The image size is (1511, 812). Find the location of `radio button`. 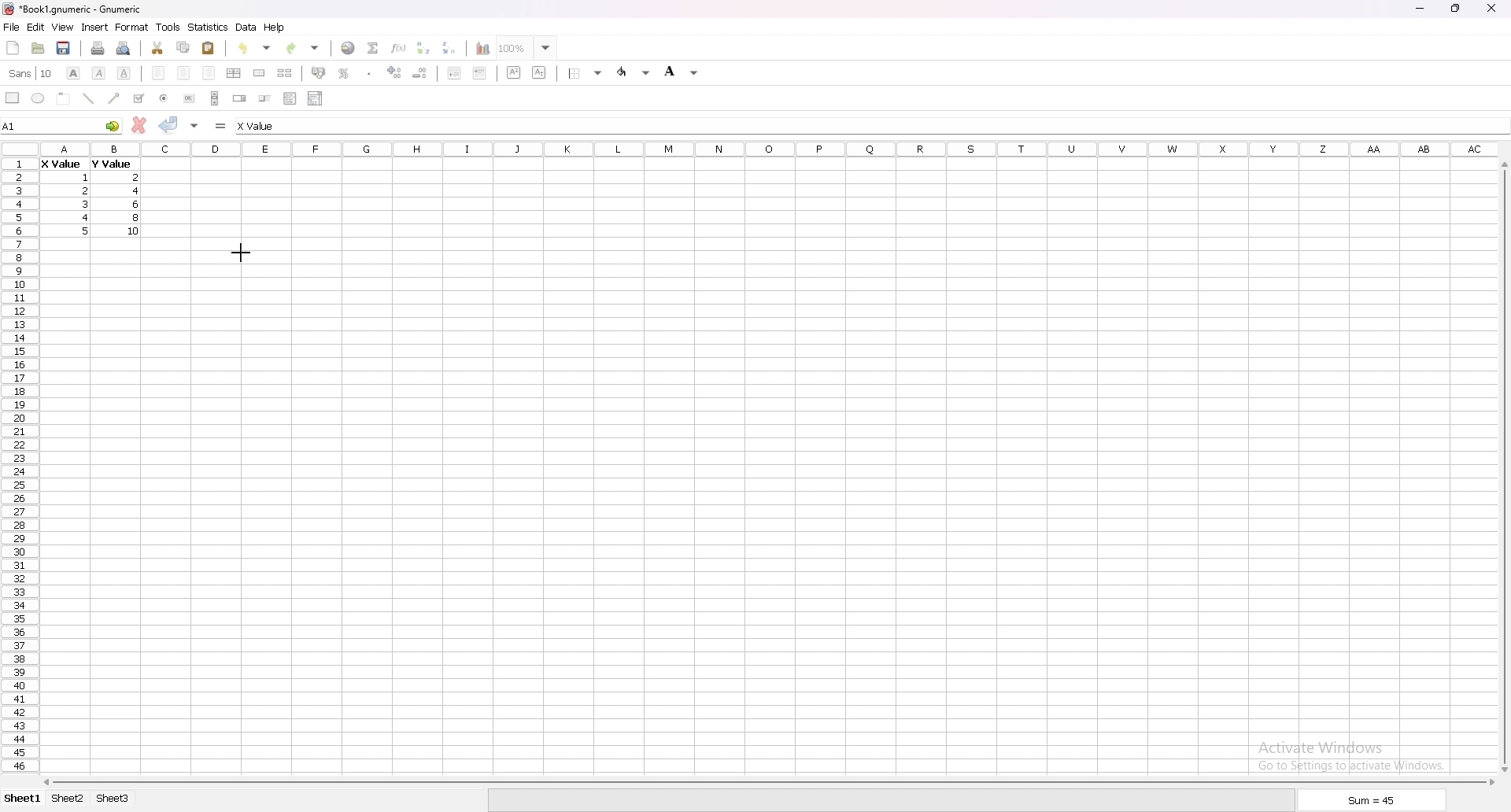

radio button is located at coordinates (164, 98).